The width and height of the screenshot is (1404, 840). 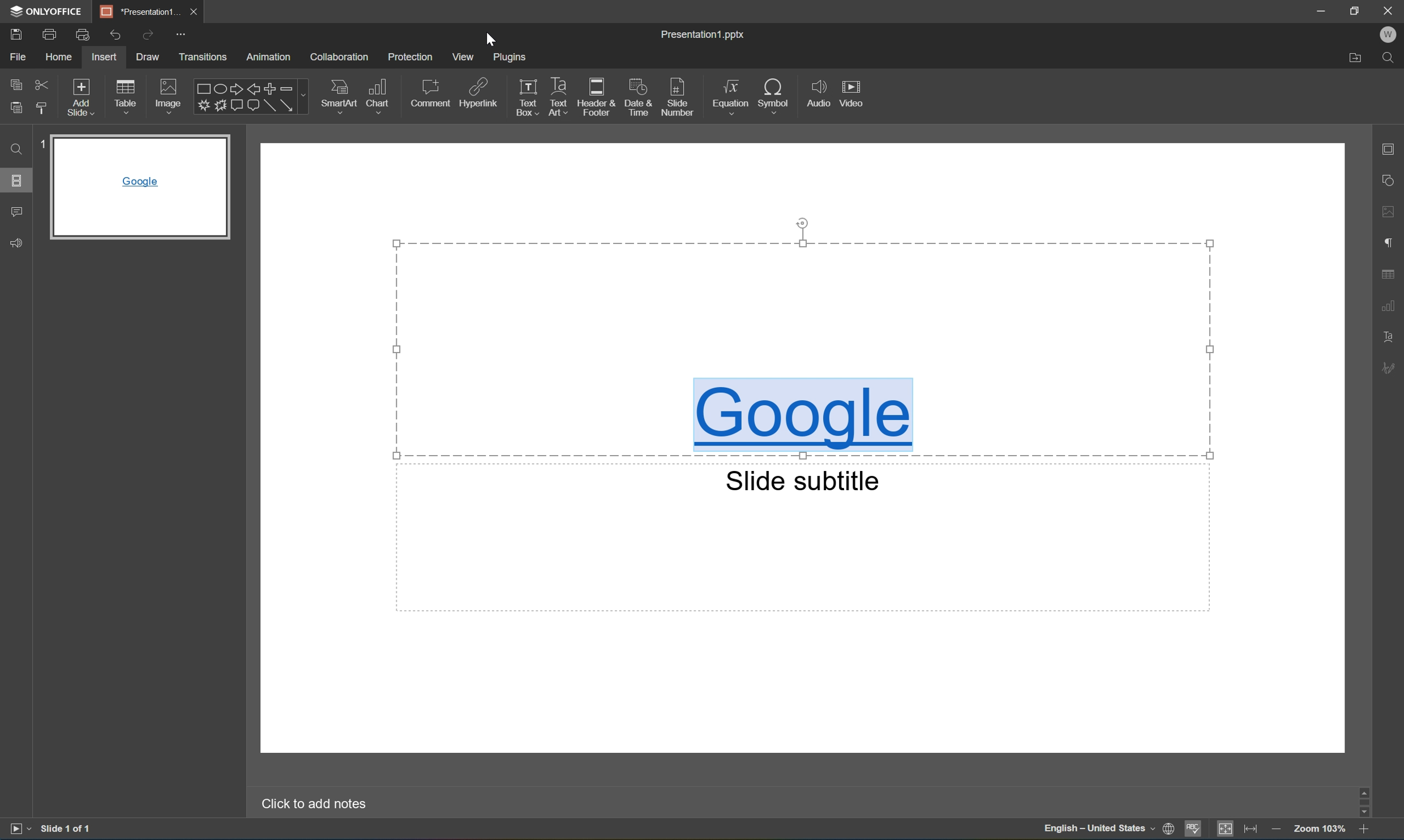 I want to click on Slide settings, so click(x=1390, y=148).